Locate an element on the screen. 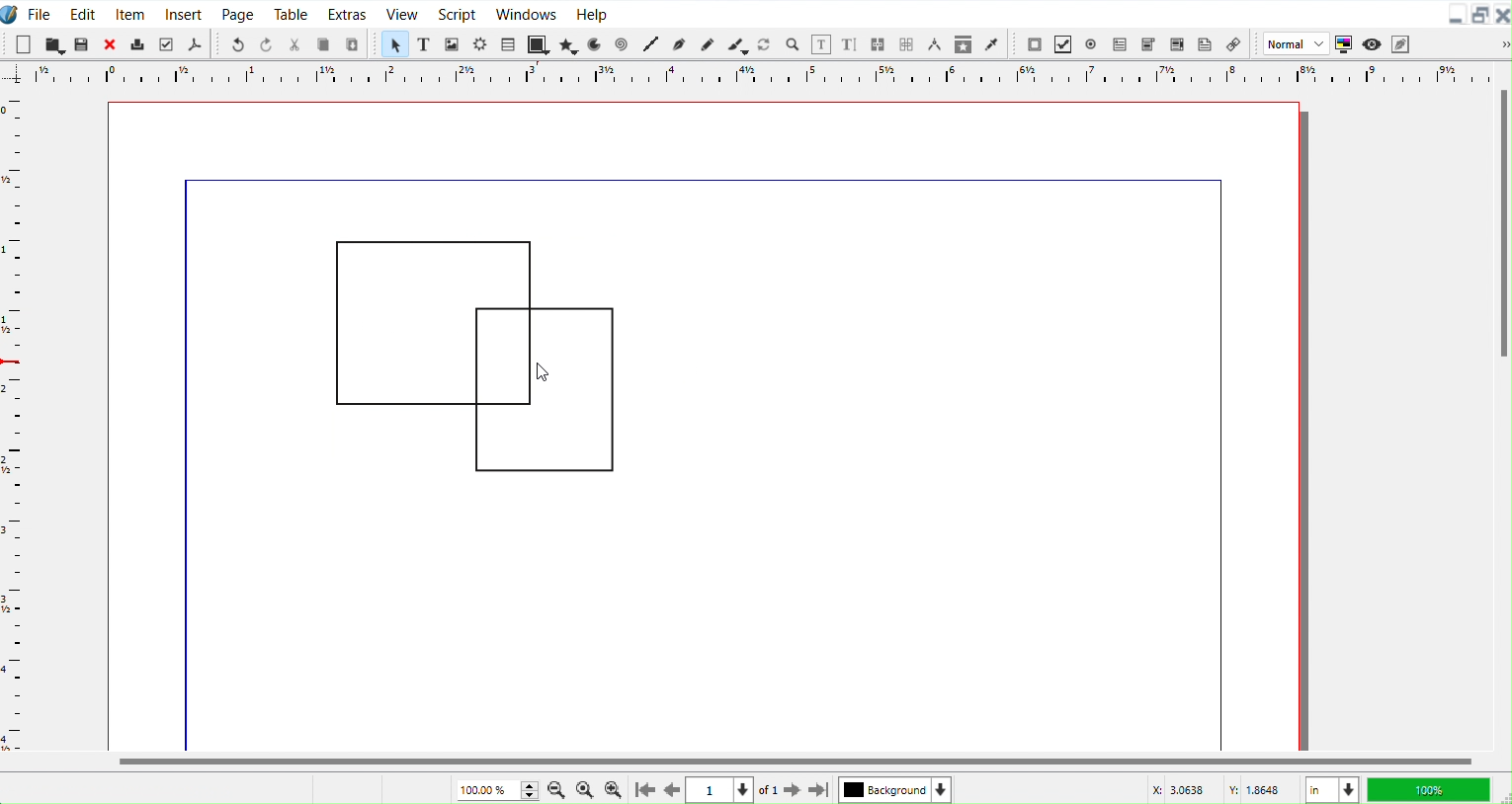 The width and height of the screenshot is (1512, 804). Go to First Page is located at coordinates (643, 790).